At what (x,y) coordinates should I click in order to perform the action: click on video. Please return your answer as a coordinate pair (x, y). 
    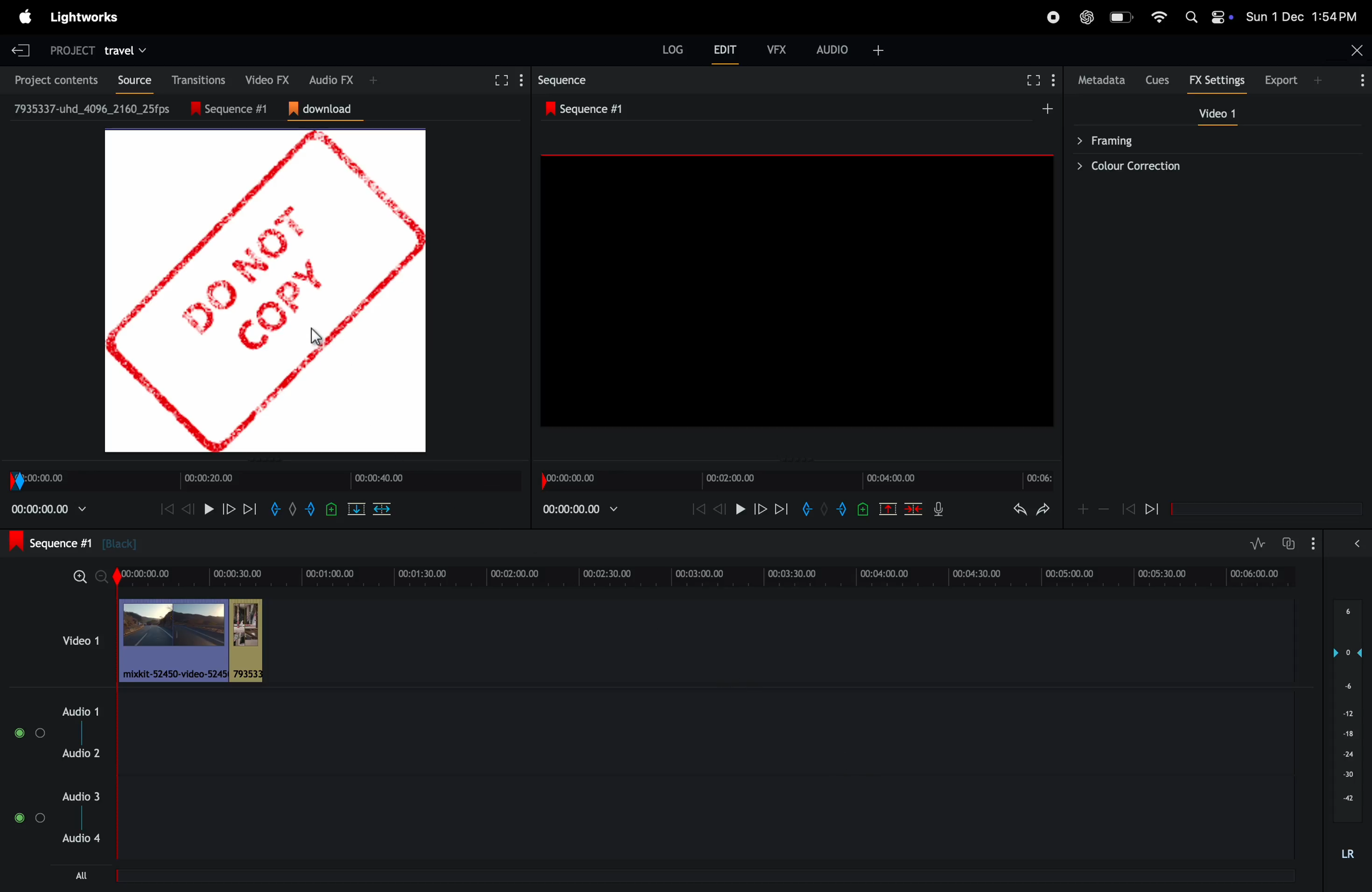
    Looking at the image, I should click on (1217, 113).